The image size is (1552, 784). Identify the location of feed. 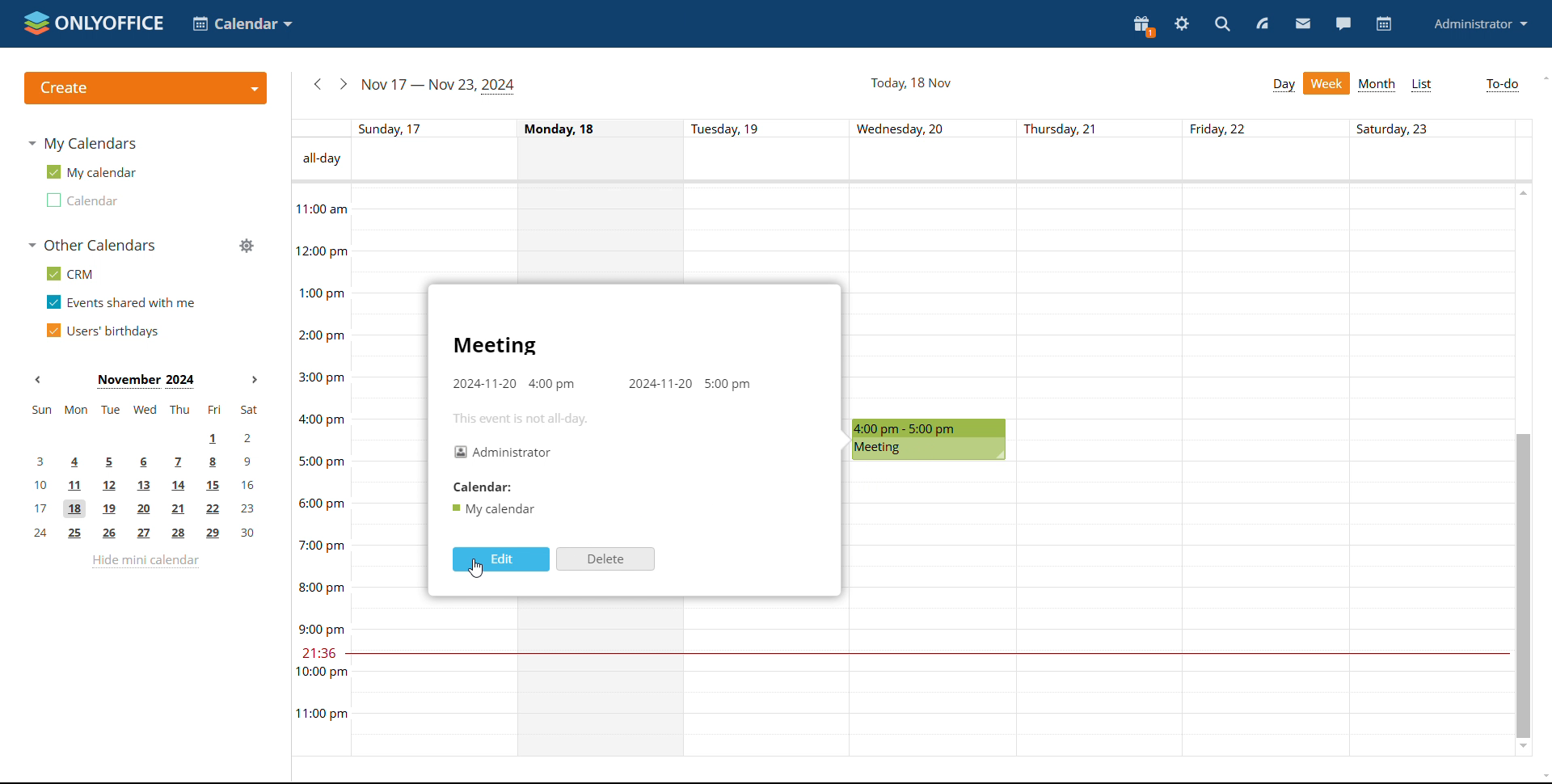
(1265, 24).